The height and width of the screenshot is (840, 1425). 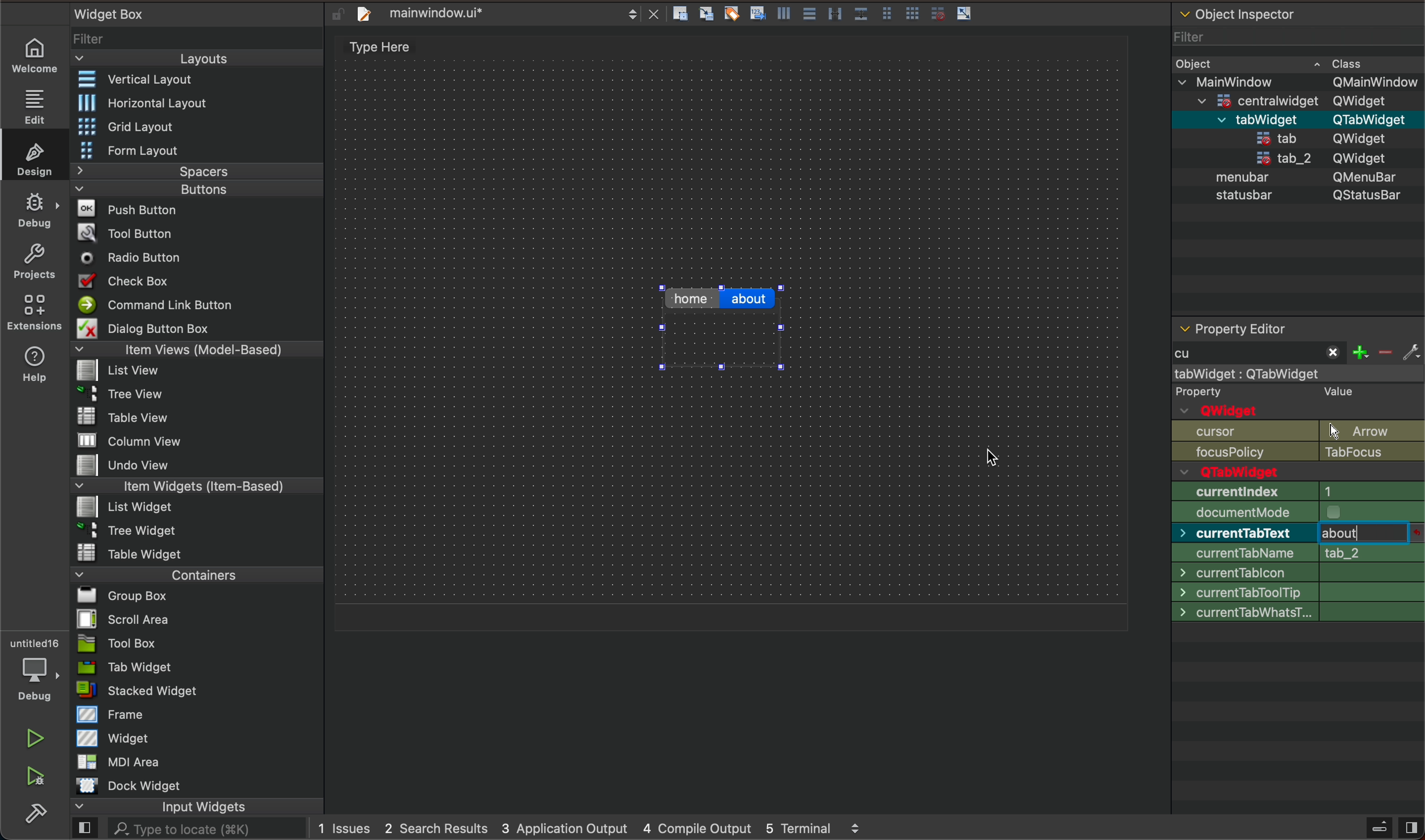 I want to click on logs, so click(x=594, y=828).